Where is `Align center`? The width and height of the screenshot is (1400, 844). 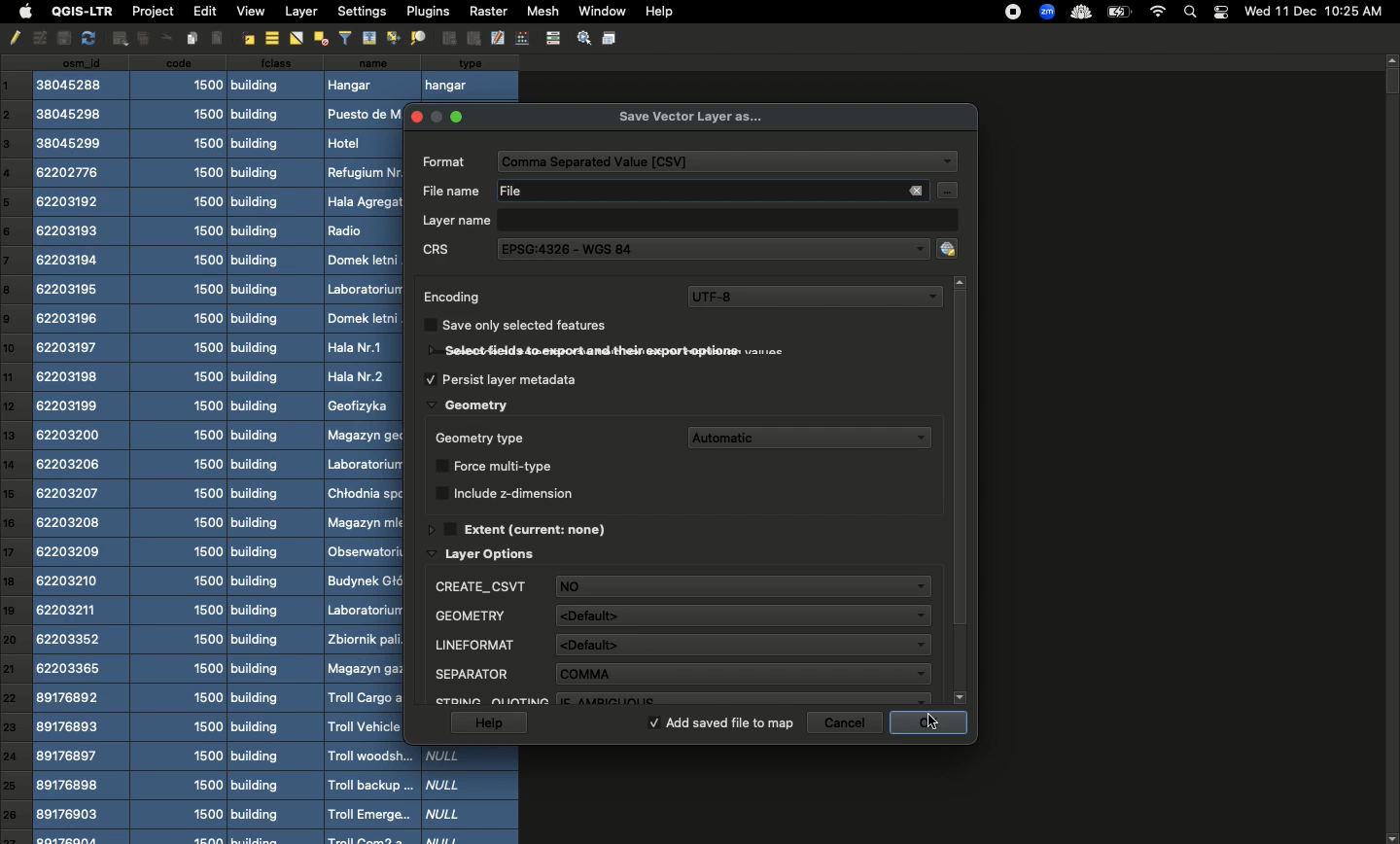 Align center is located at coordinates (270, 38).